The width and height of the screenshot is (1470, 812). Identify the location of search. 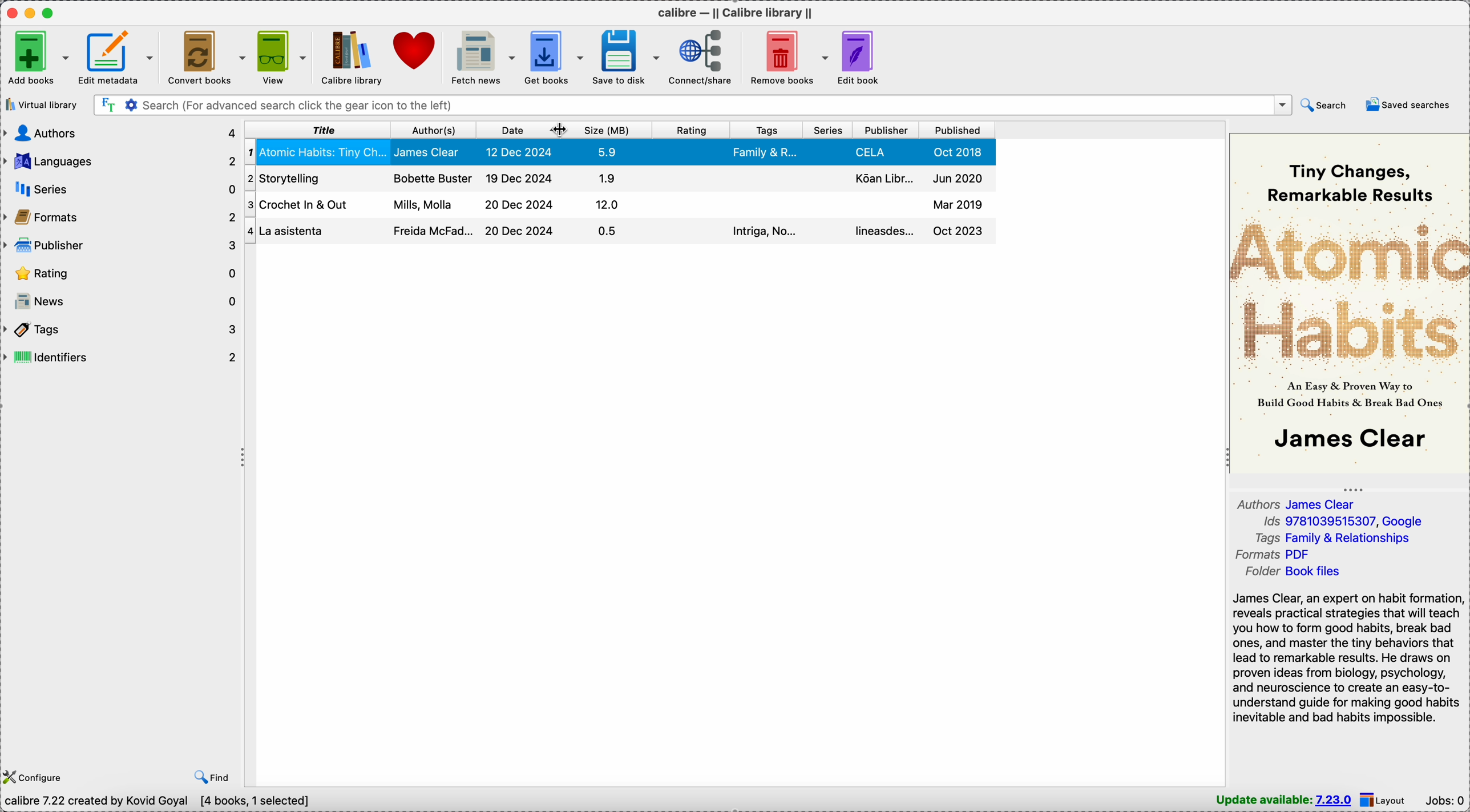
(1323, 106).